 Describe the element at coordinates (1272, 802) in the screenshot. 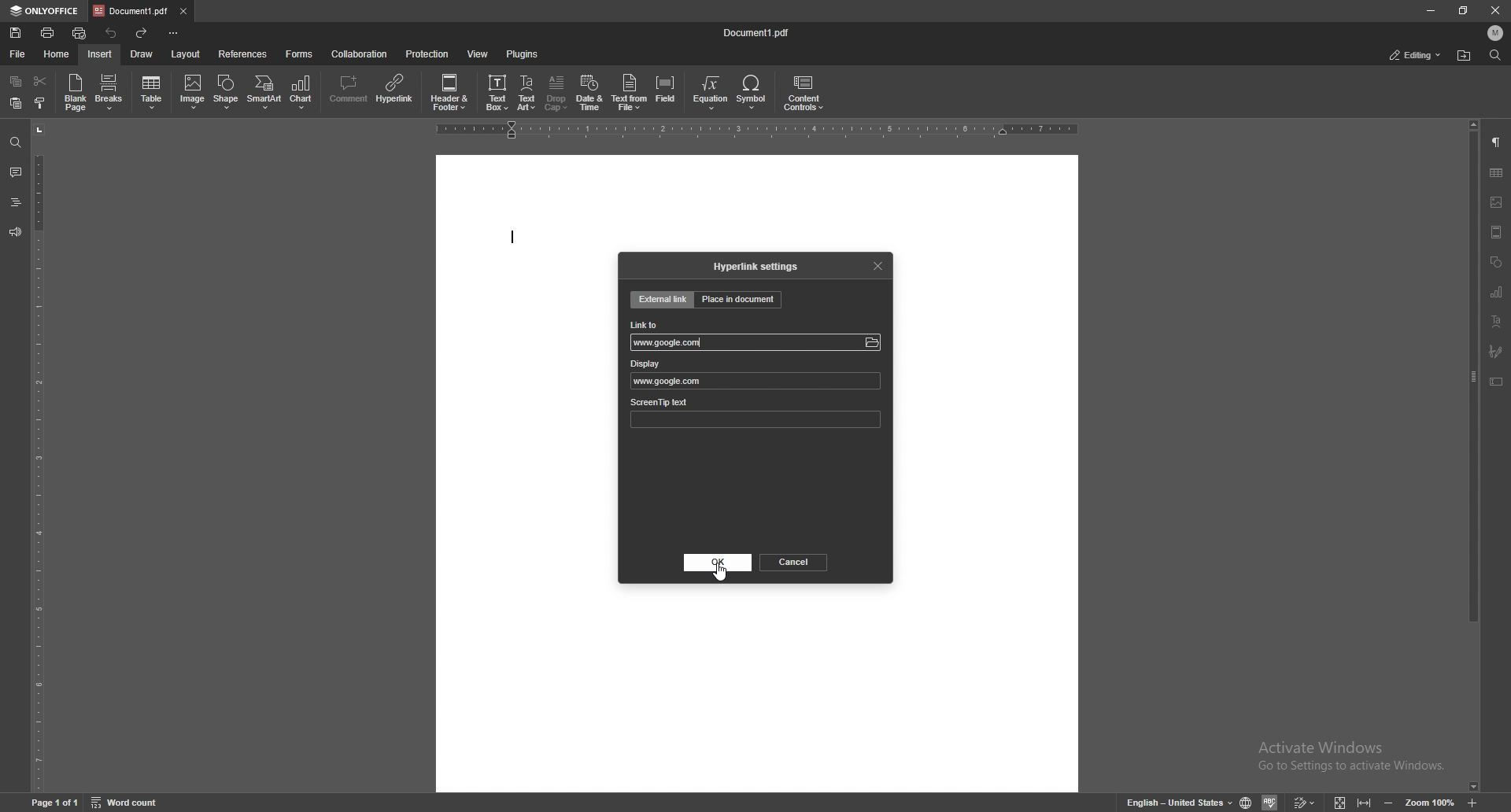

I see `spell check` at that location.